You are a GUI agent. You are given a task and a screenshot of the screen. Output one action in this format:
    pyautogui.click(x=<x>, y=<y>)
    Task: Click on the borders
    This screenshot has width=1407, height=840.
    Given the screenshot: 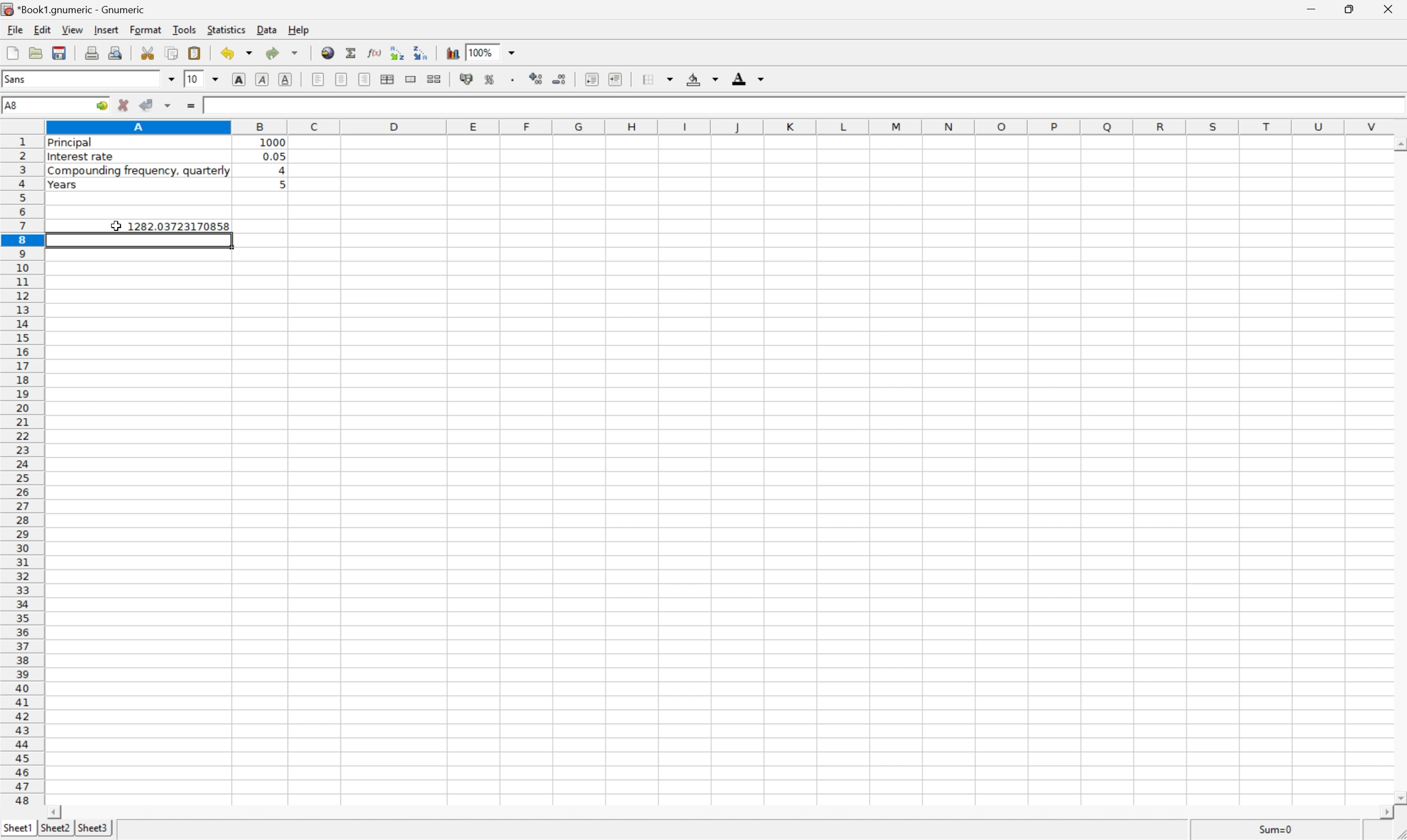 What is the action you would take?
    pyautogui.click(x=658, y=78)
    